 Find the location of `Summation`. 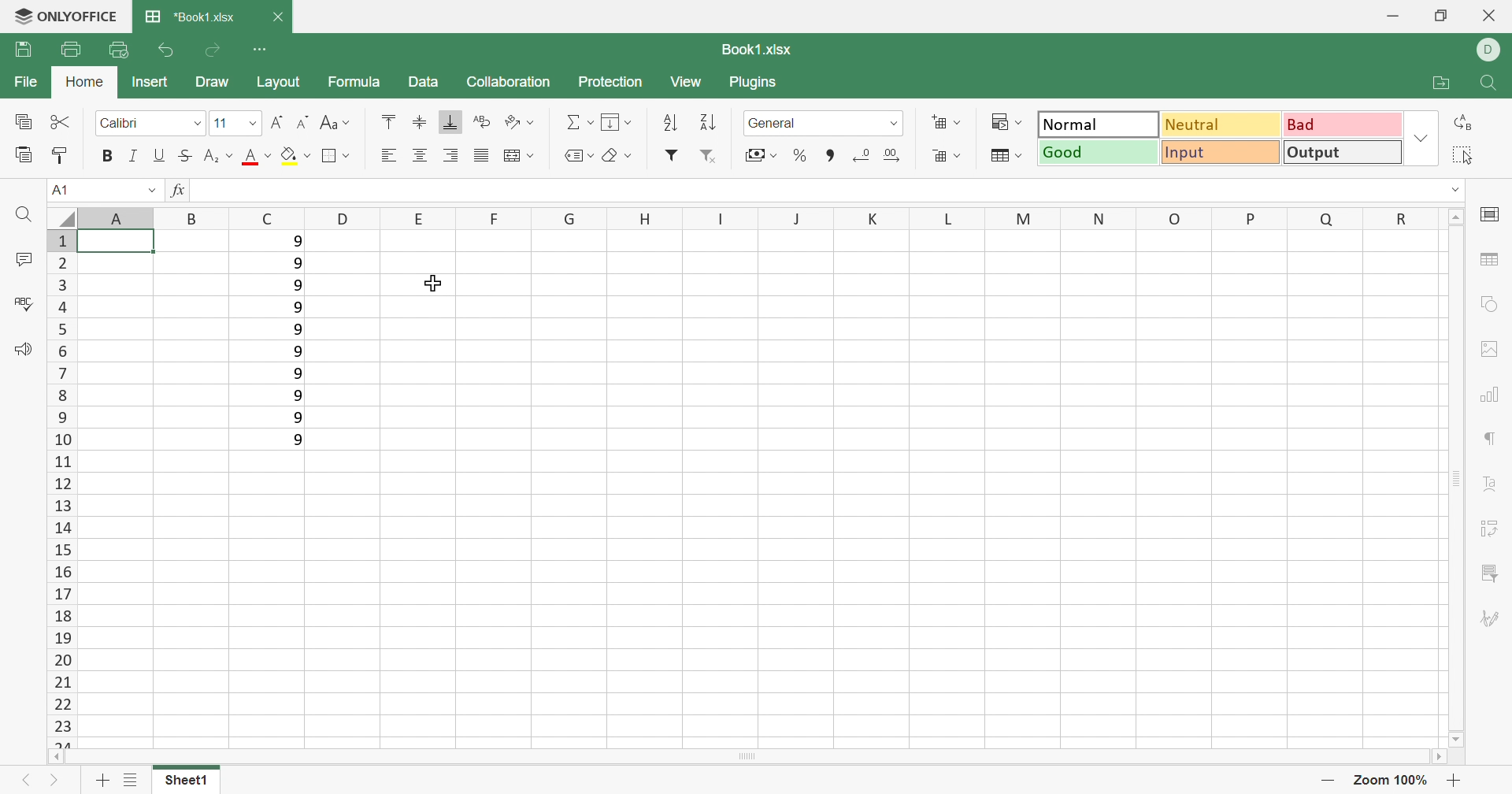

Summation is located at coordinates (579, 123).